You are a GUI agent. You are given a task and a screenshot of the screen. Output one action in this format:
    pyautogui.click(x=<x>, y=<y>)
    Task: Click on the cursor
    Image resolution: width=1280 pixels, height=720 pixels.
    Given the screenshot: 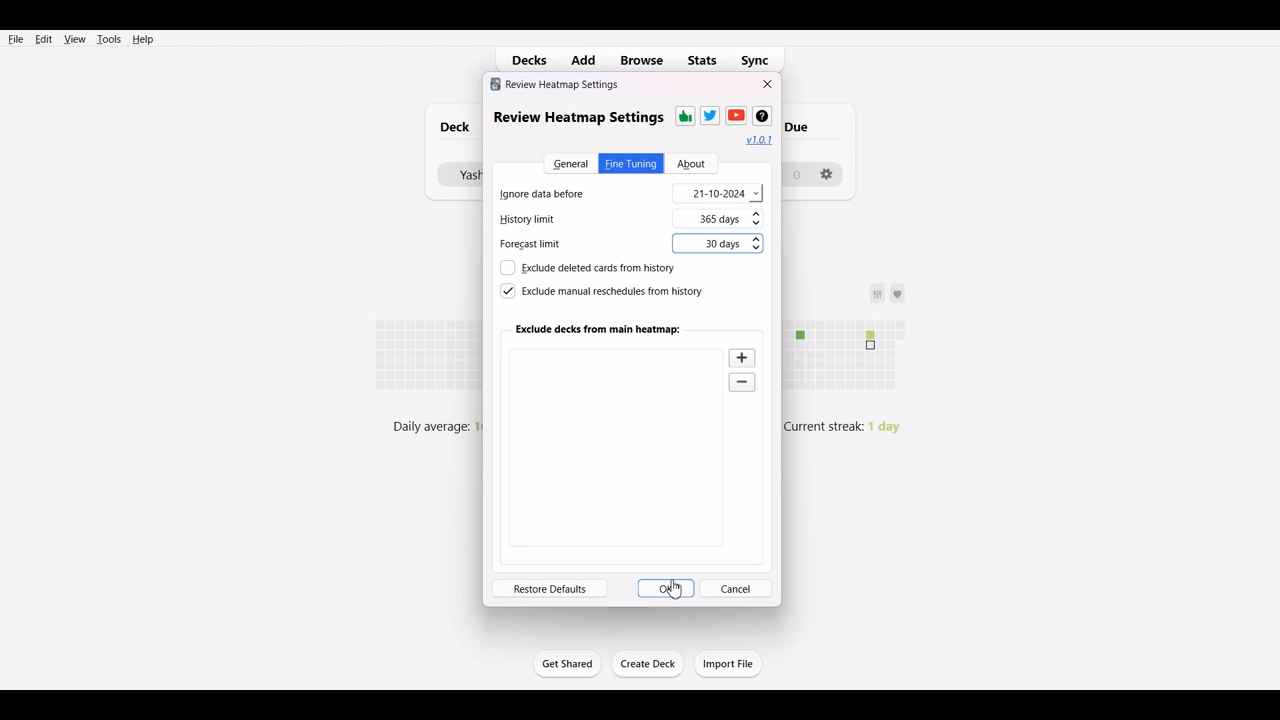 What is the action you would take?
    pyautogui.click(x=676, y=588)
    